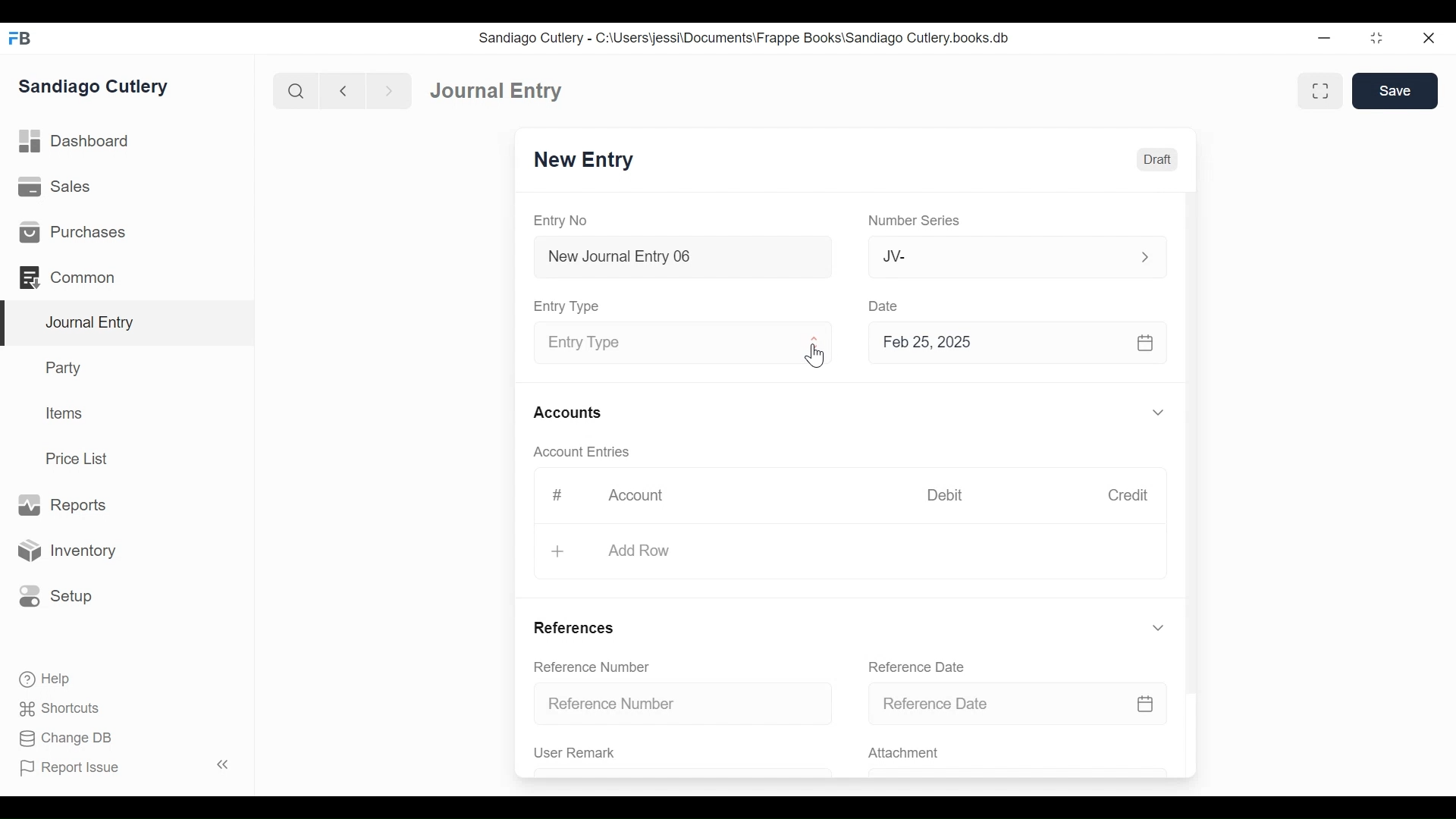 The width and height of the screenshot is (1456, 819). What do you see at coordinates (1431, 37) in the screenshot?
I see `Close` at bounding box center [1431, 37].